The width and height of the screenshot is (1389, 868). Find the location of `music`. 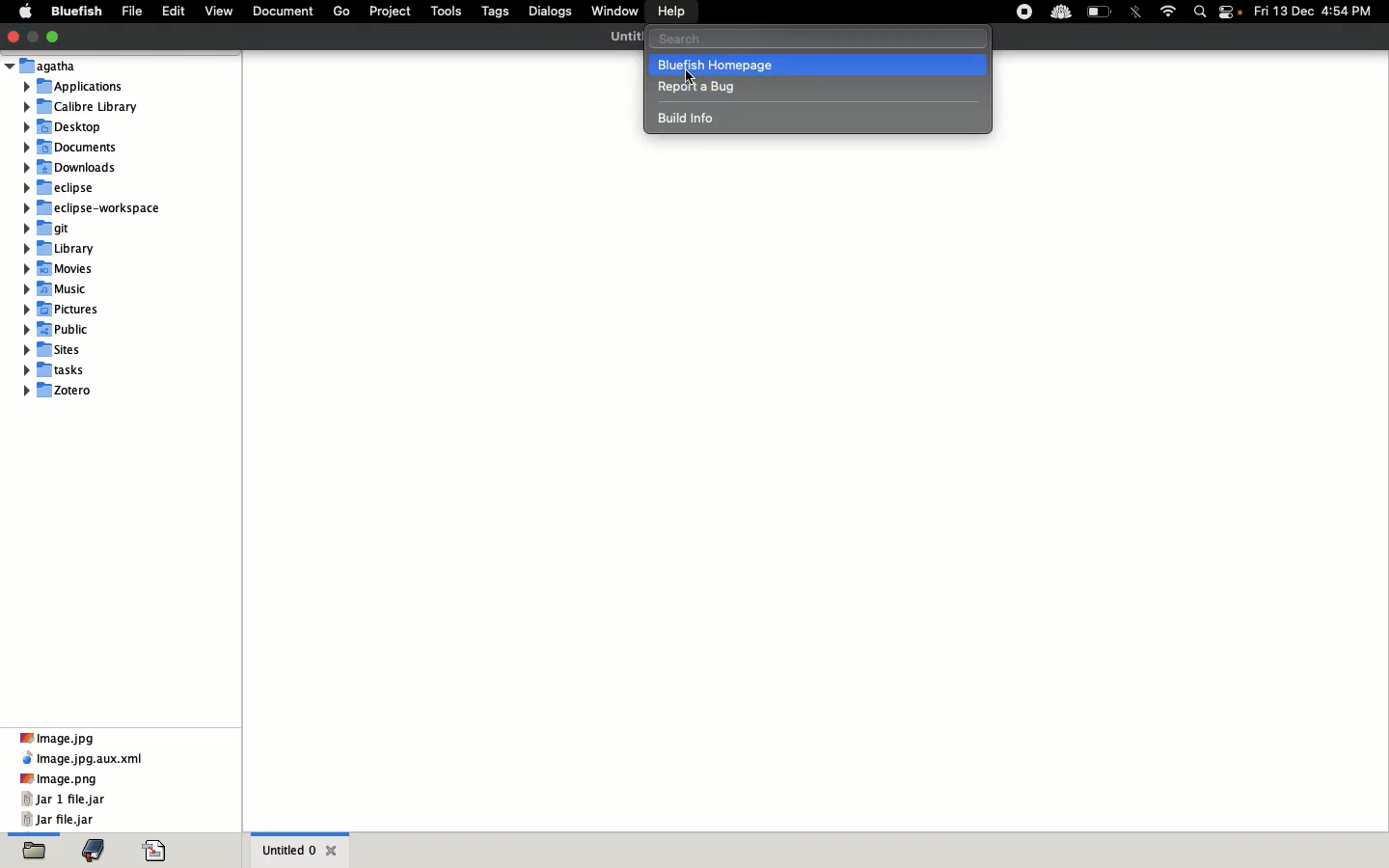

music is located at coordinates (61, 328).